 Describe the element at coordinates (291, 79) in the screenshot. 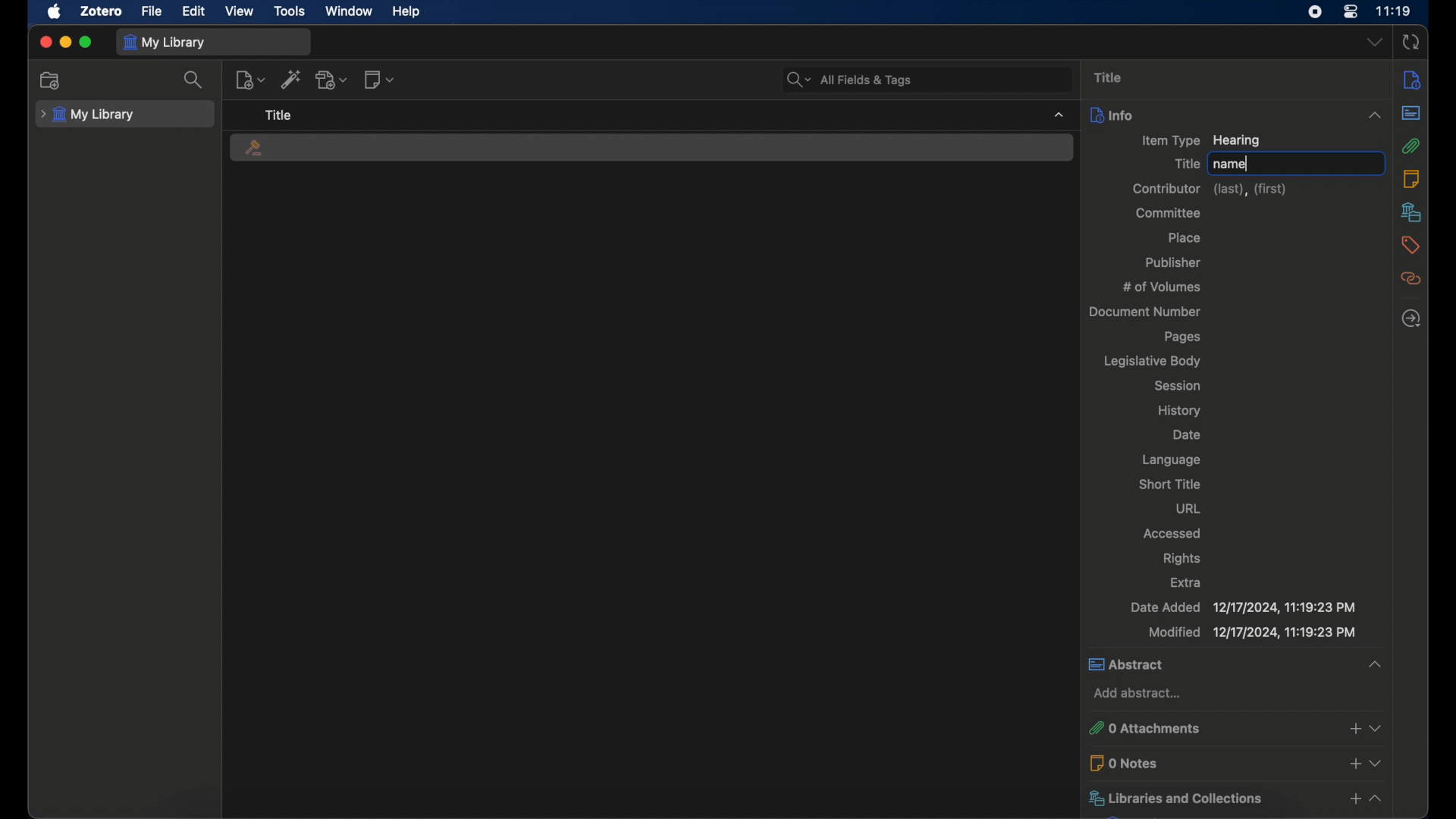

I see `add item by identifier` at that location.